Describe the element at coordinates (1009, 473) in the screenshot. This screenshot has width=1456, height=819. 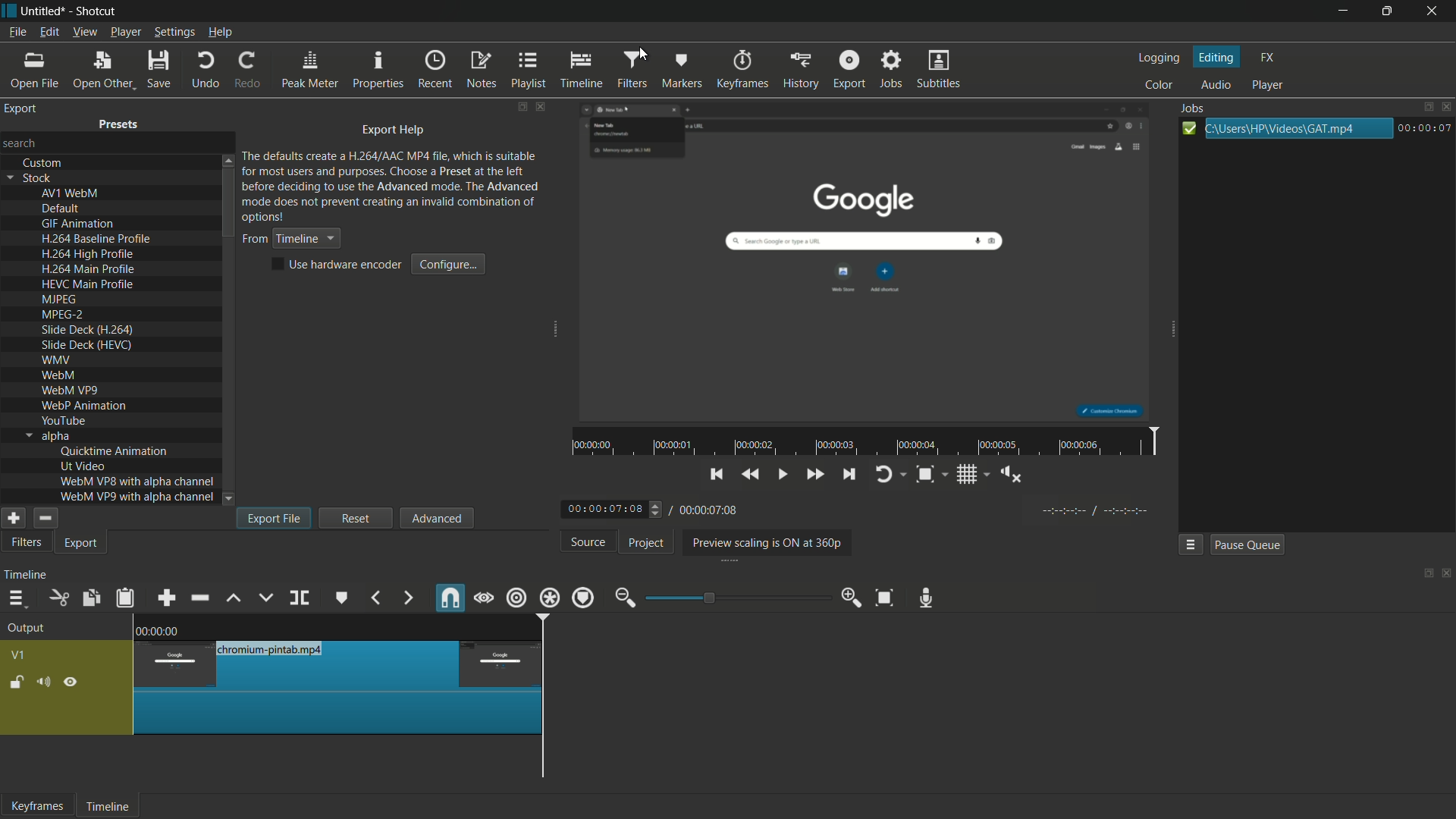
I see `show volume control` at that location.